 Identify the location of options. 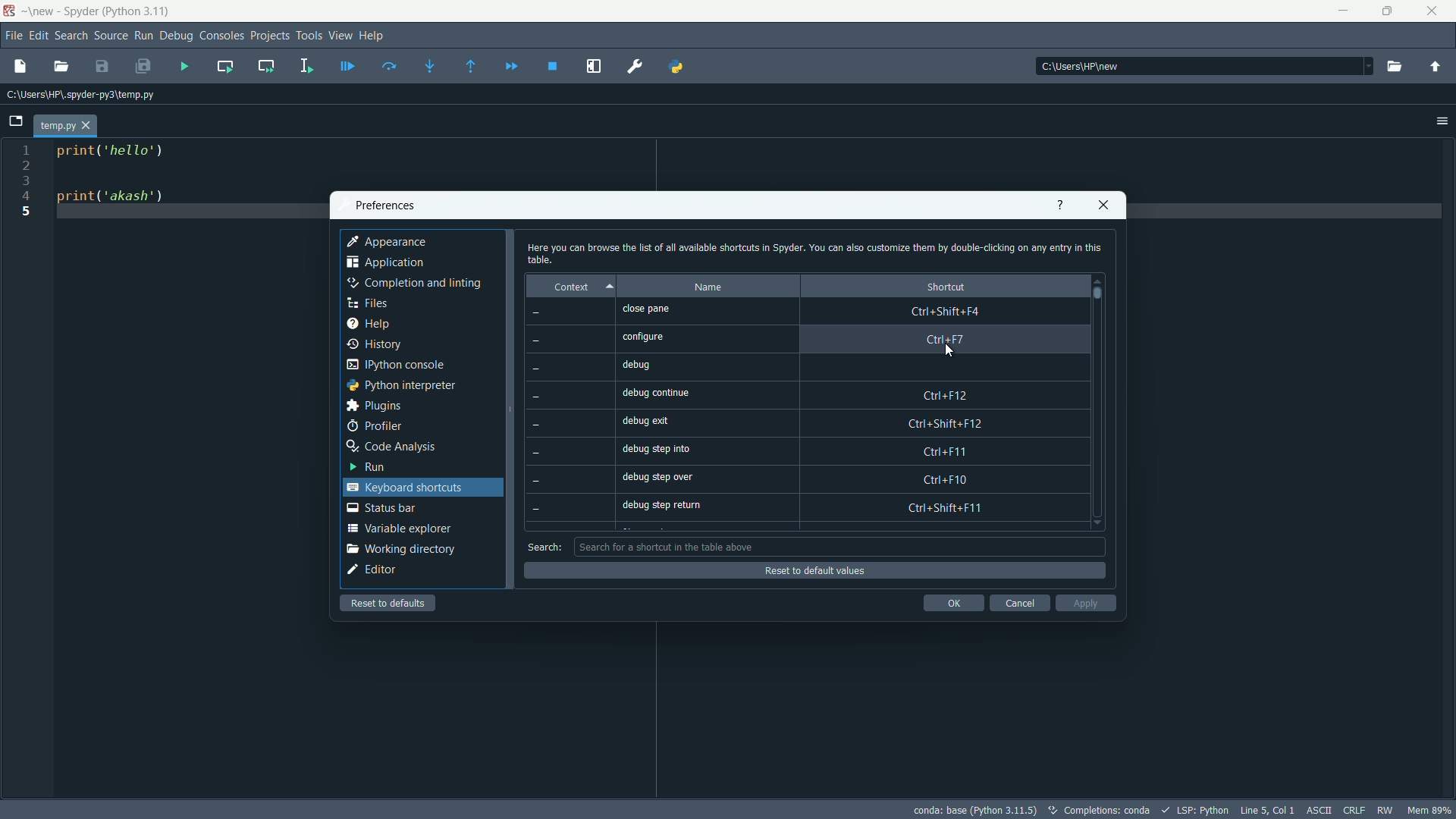
(1442, 121).